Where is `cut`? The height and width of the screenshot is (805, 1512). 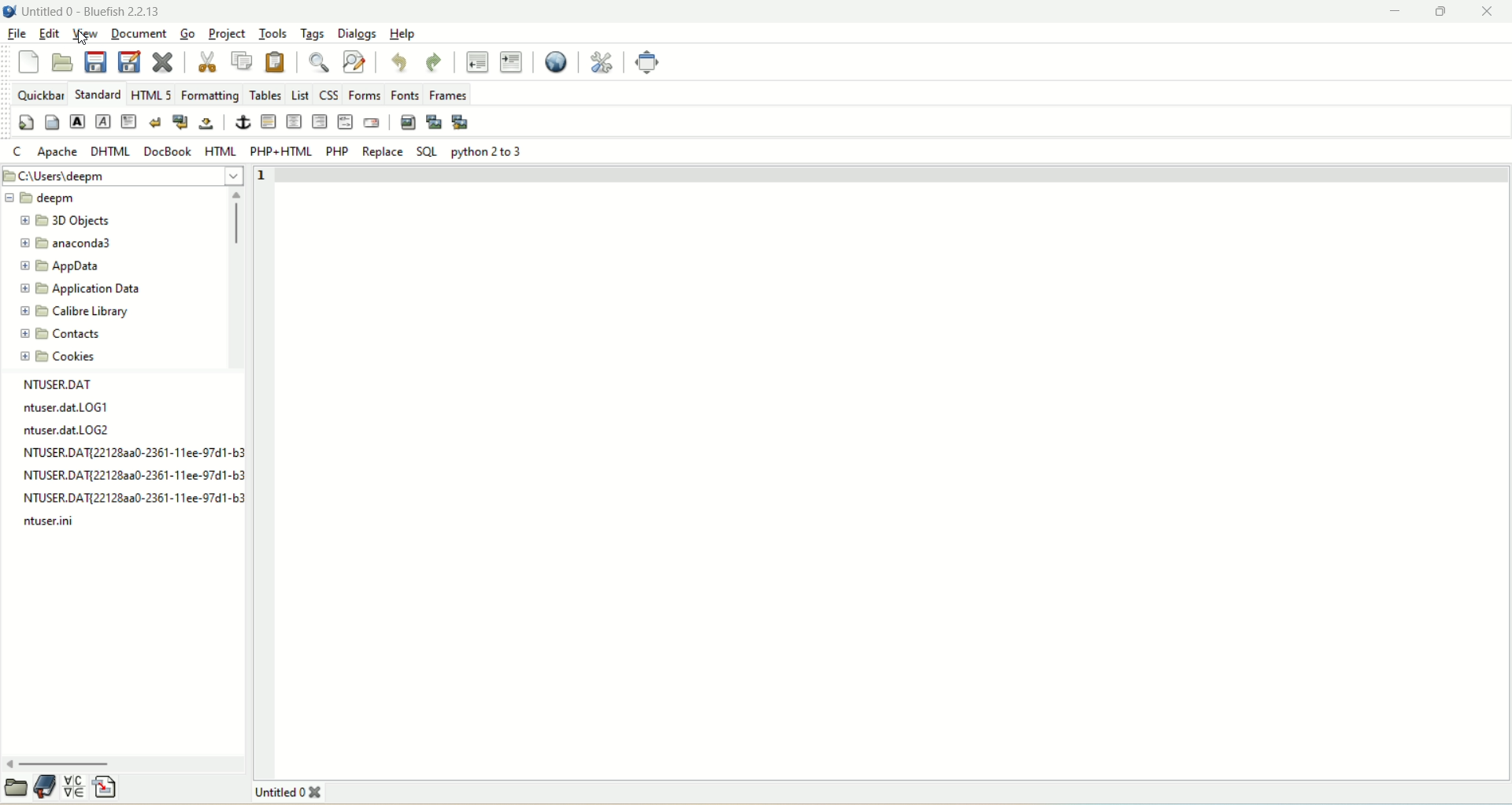 cut is located at coordinates (209, 63).